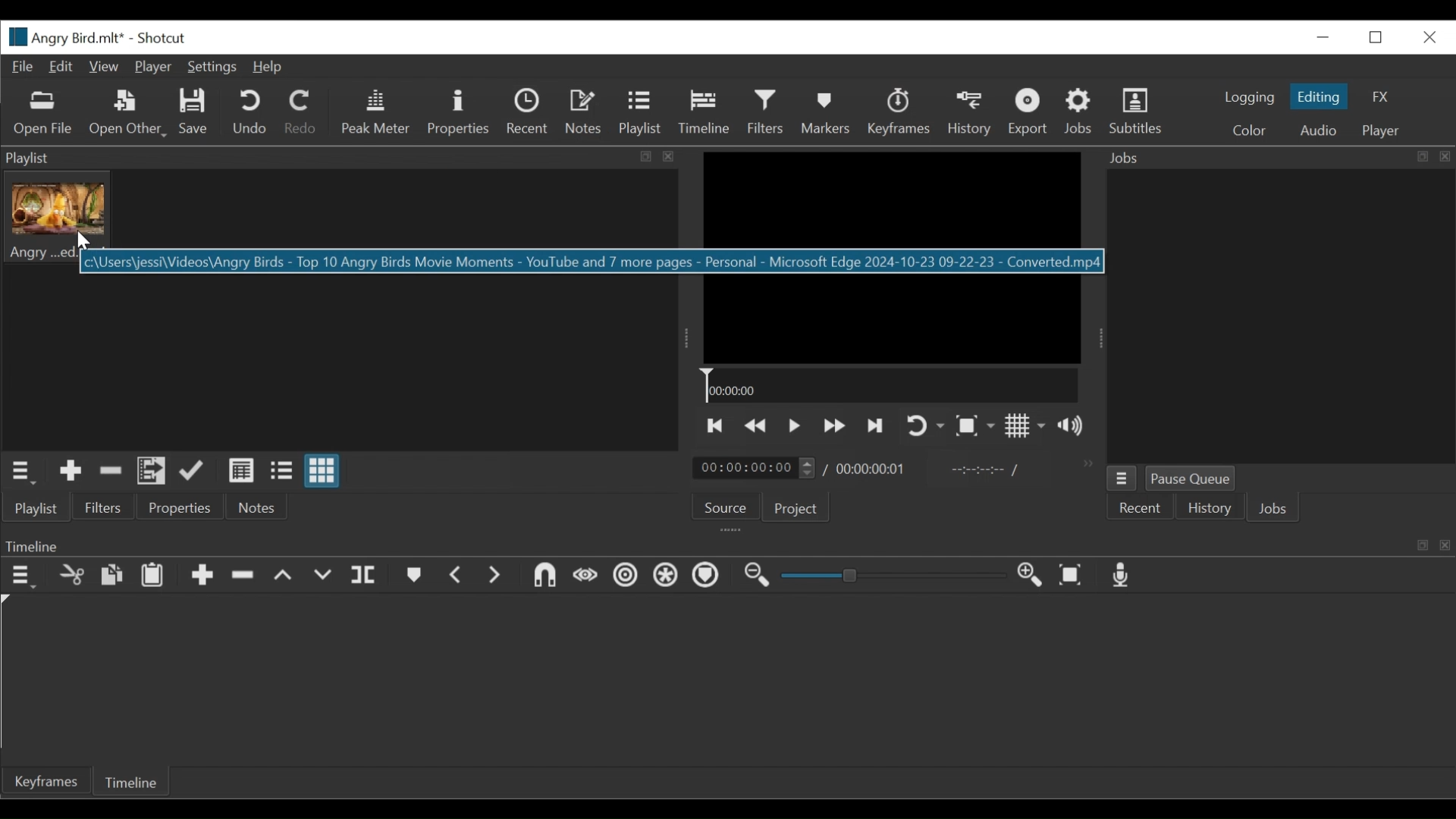 The image size is (1456, 819). Describe the element at coordinates (376, 114) in the screenshot. I see `Peak Meter` at that location.